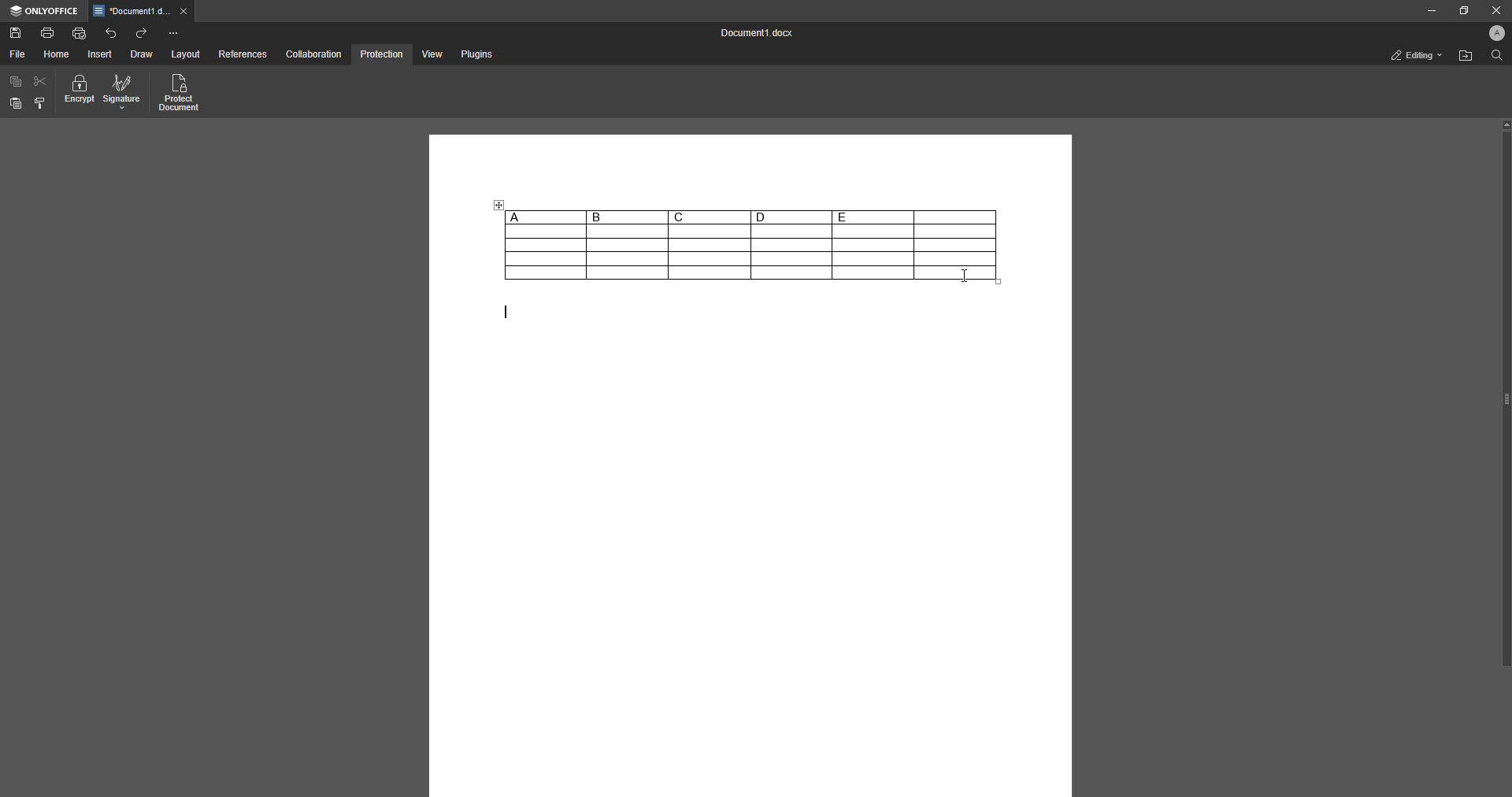 The height and width of the screenshot is (797, 1512). Describe the element at coordinates (44, 11) in the screenshot. I see `ONLYOFFICE` at that location.